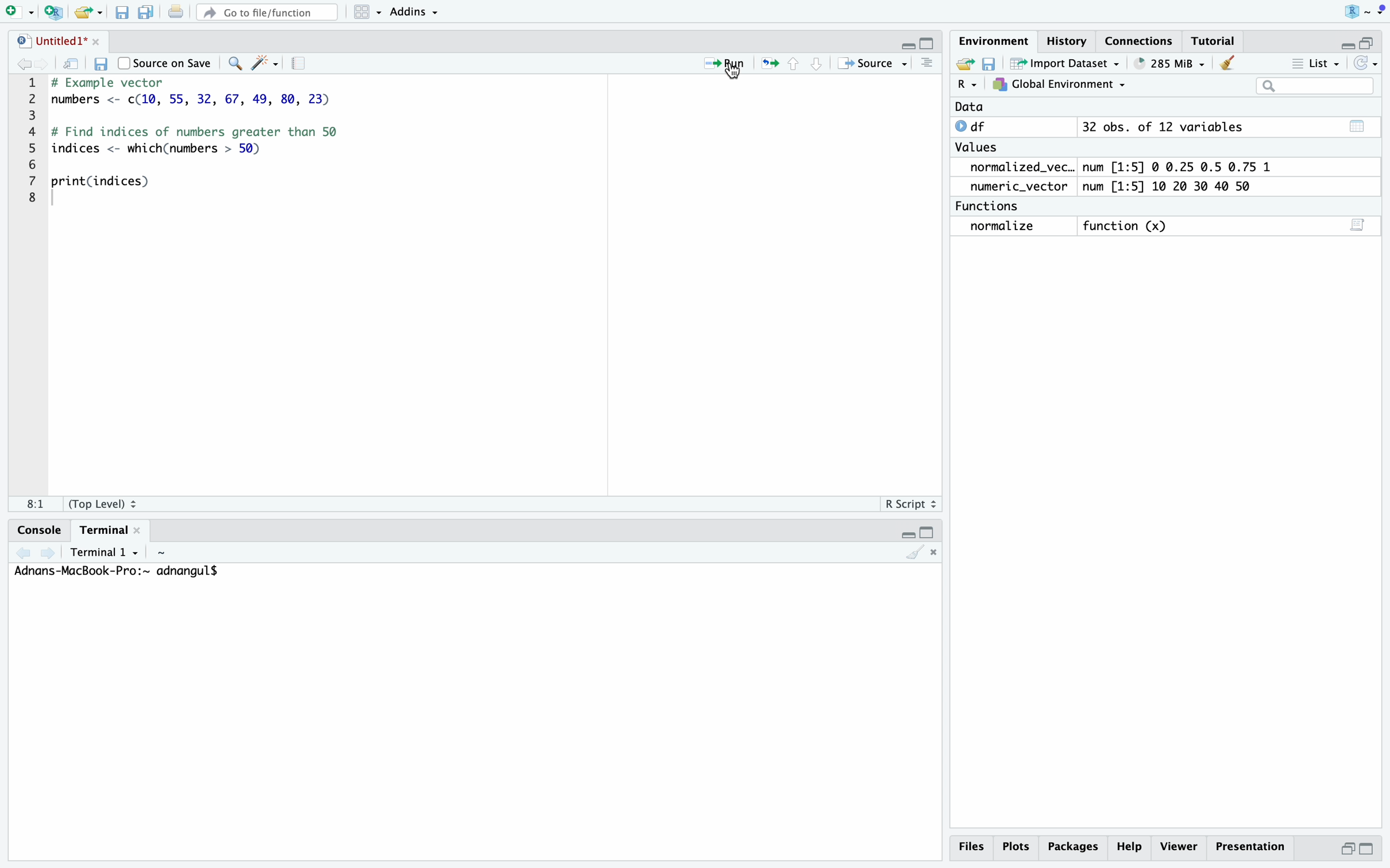  Describe the element at coordinates (264, 64) in the screenshot. I see `WRITOR` at that location.